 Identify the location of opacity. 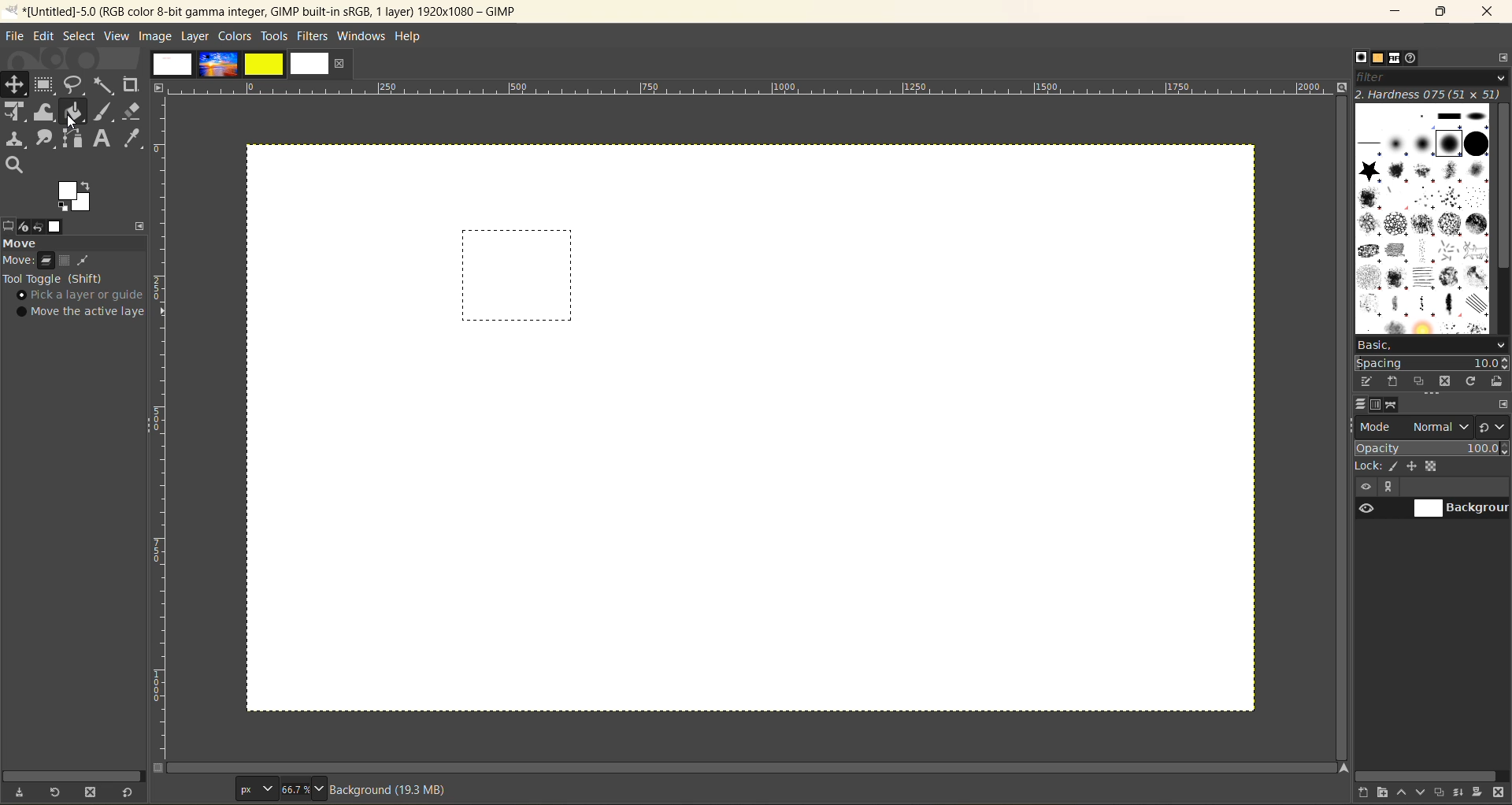
(1432, 448).